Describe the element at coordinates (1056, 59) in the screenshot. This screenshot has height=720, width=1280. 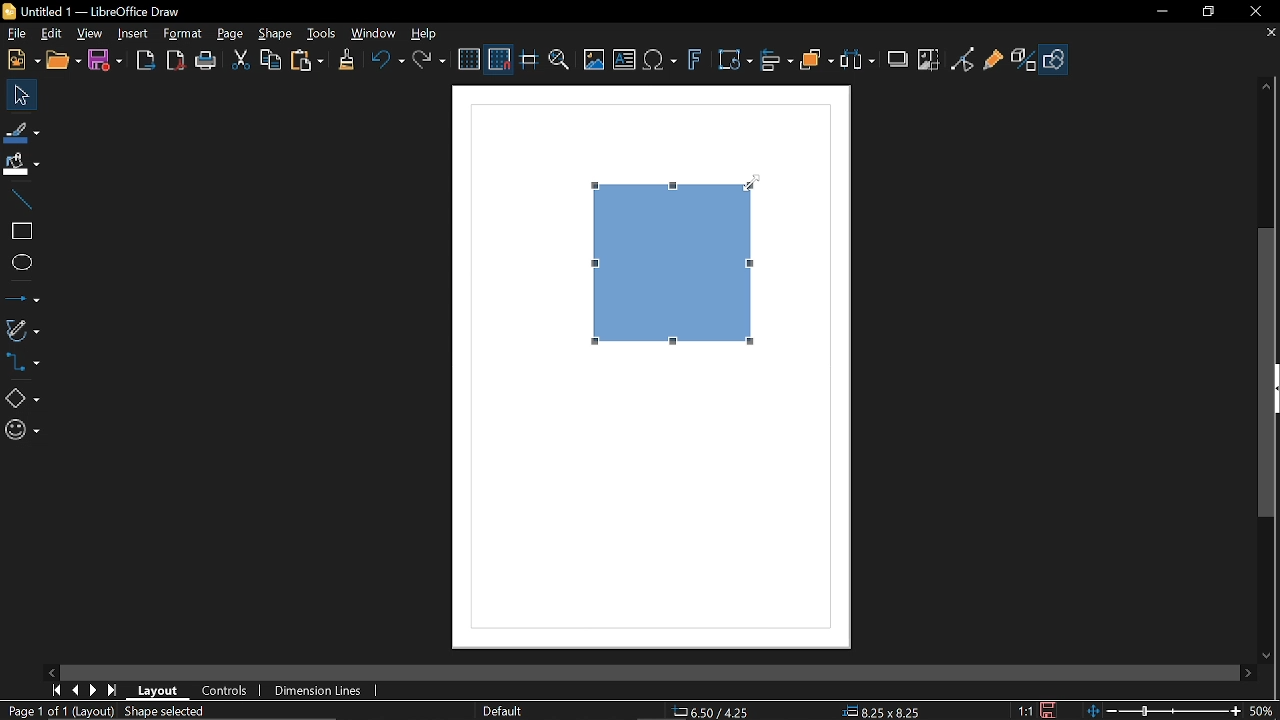
I see `Show draw functions` at that location.